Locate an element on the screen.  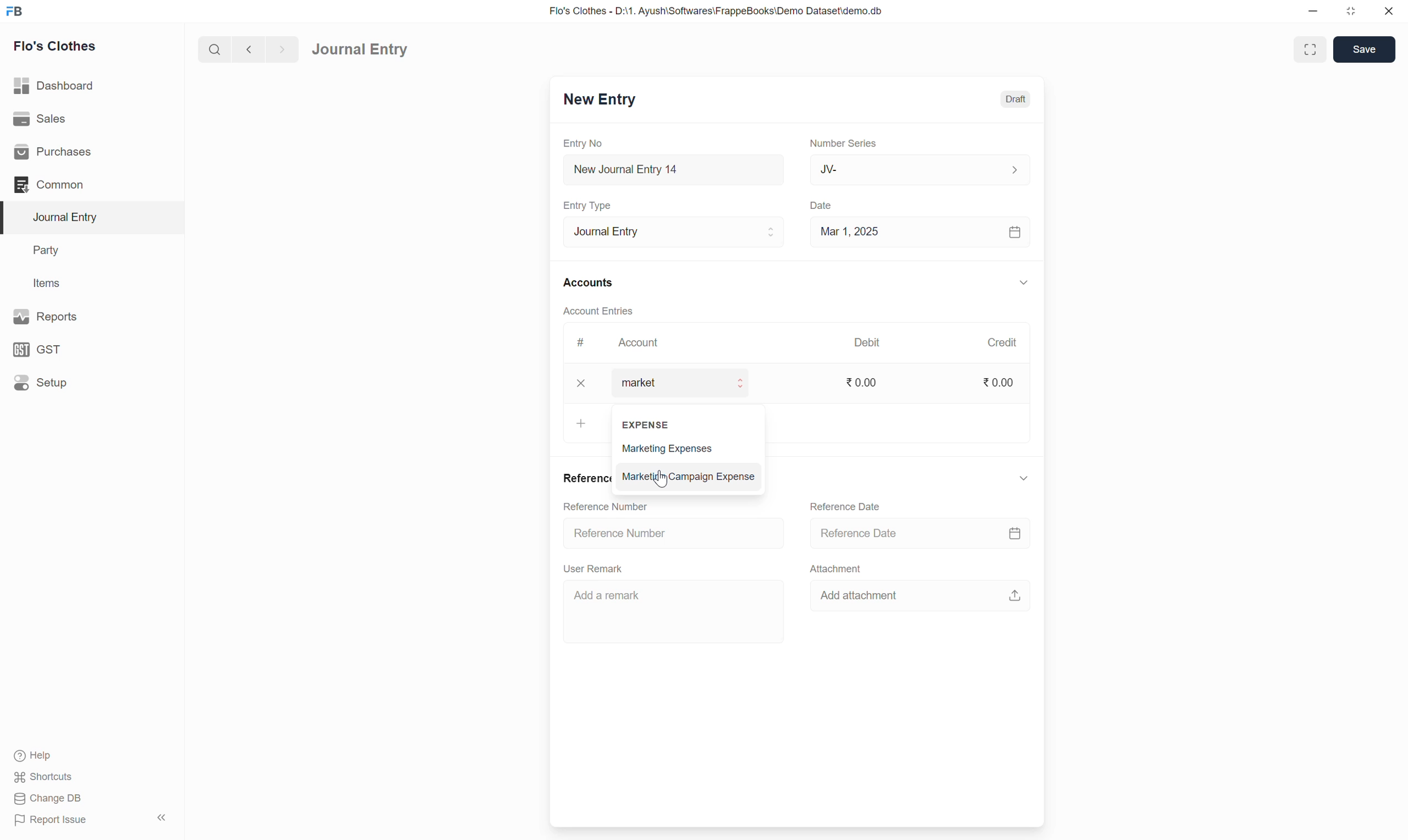
Setup is located at coordinates (41, 382).